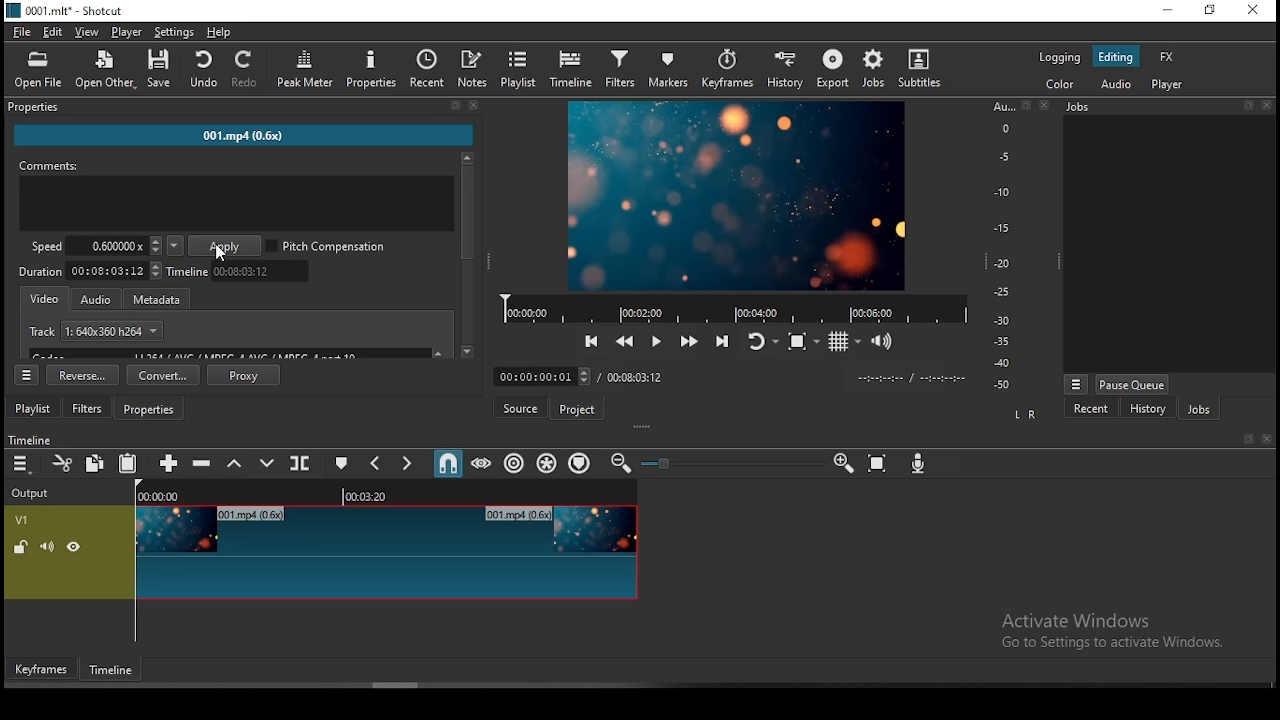 The width and height of the screenshot is (1280, 720). Describe the element at coordinates (26, 517) in the screenshot. I see `V1` at that location.